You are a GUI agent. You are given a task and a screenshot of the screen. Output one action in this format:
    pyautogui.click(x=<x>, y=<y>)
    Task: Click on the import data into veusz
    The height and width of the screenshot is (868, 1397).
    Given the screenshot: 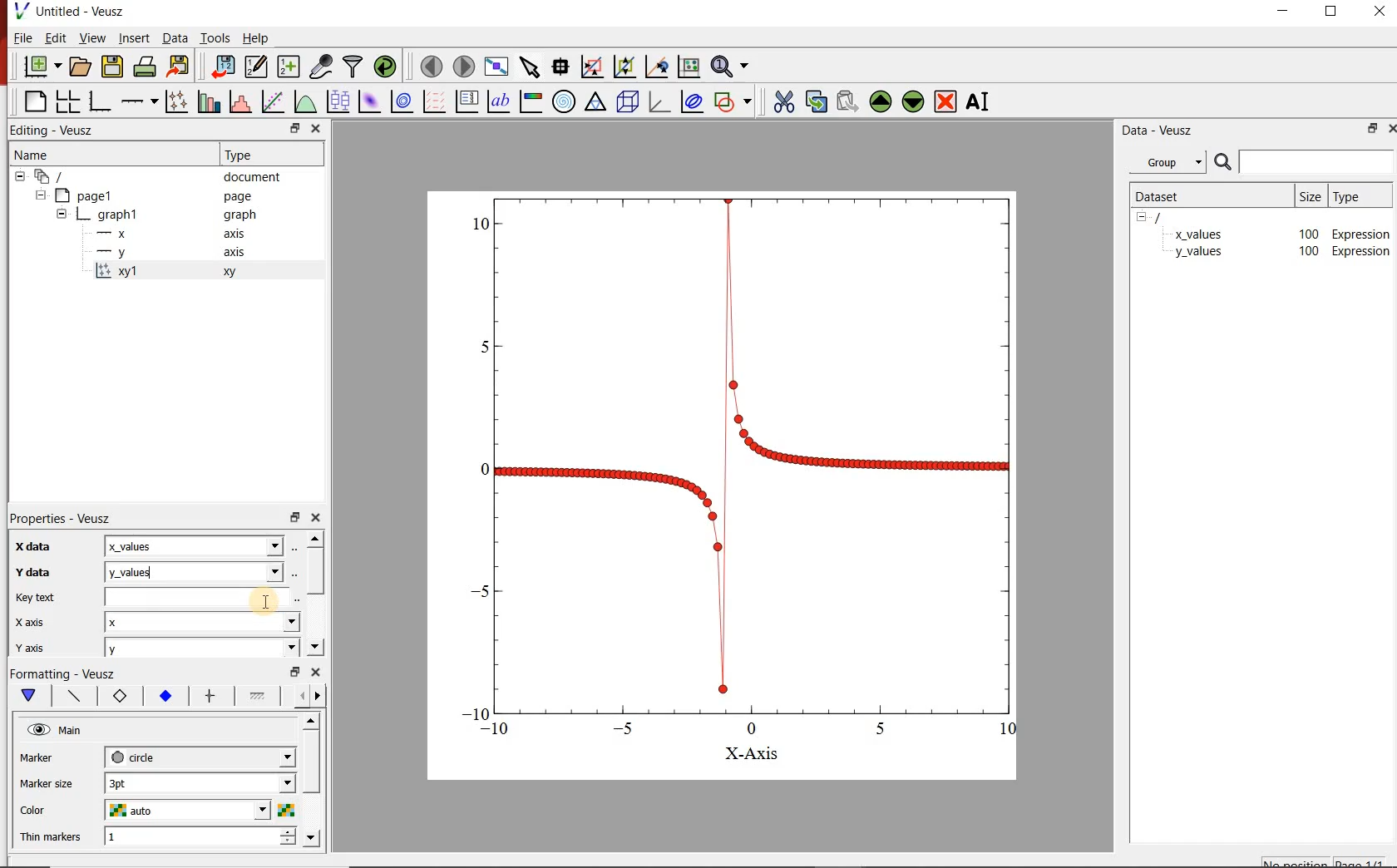 What is the action you would take?
    pyautogui.click(x=223, y=67)
    